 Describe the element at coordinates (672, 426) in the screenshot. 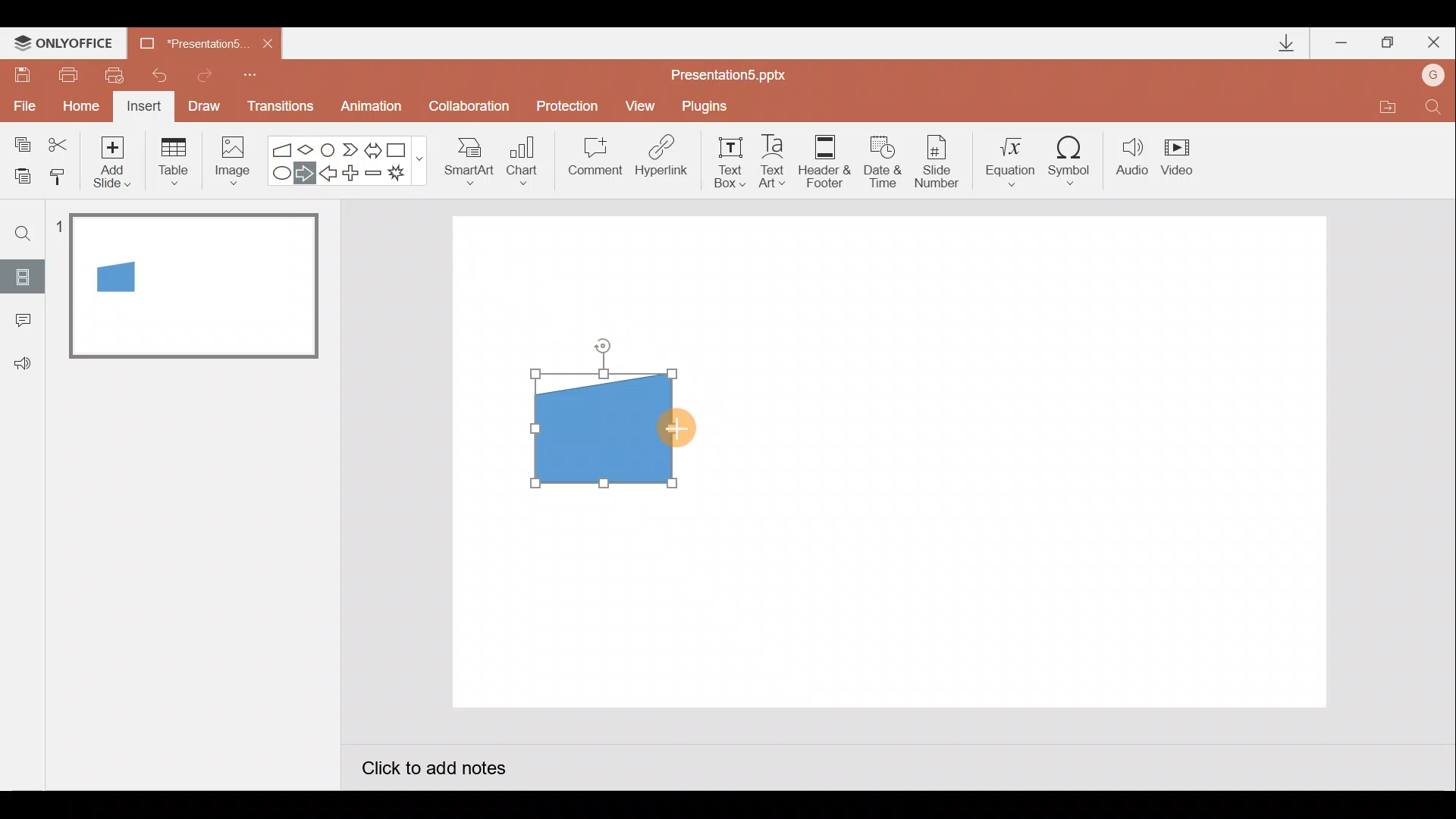

I see `Cursor` at that location.